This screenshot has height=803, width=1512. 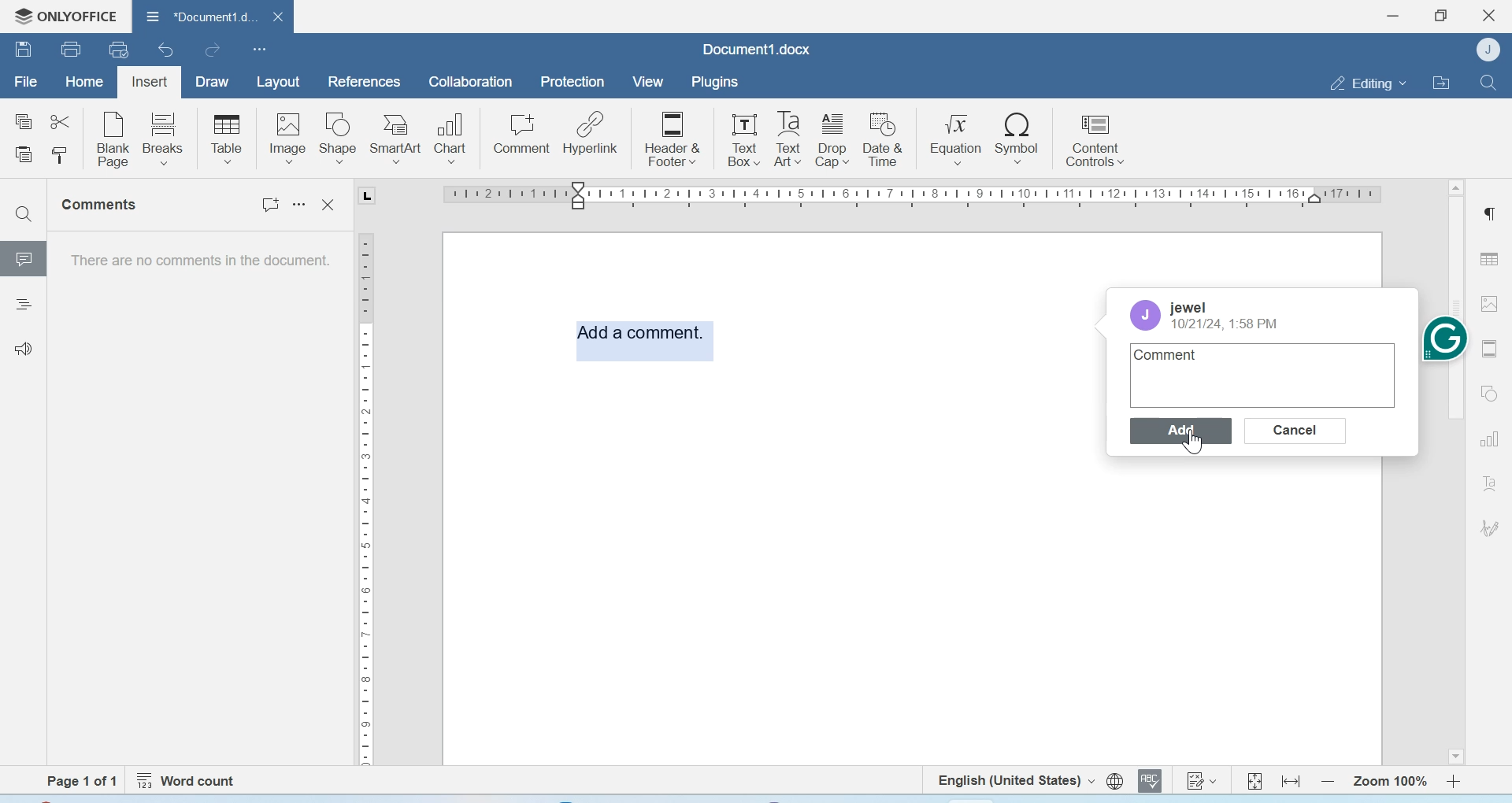 What do you see at coordinates (260, 49) in the screenshot?
I see `customize quick access toolbar` at bounding box center [260, 49].